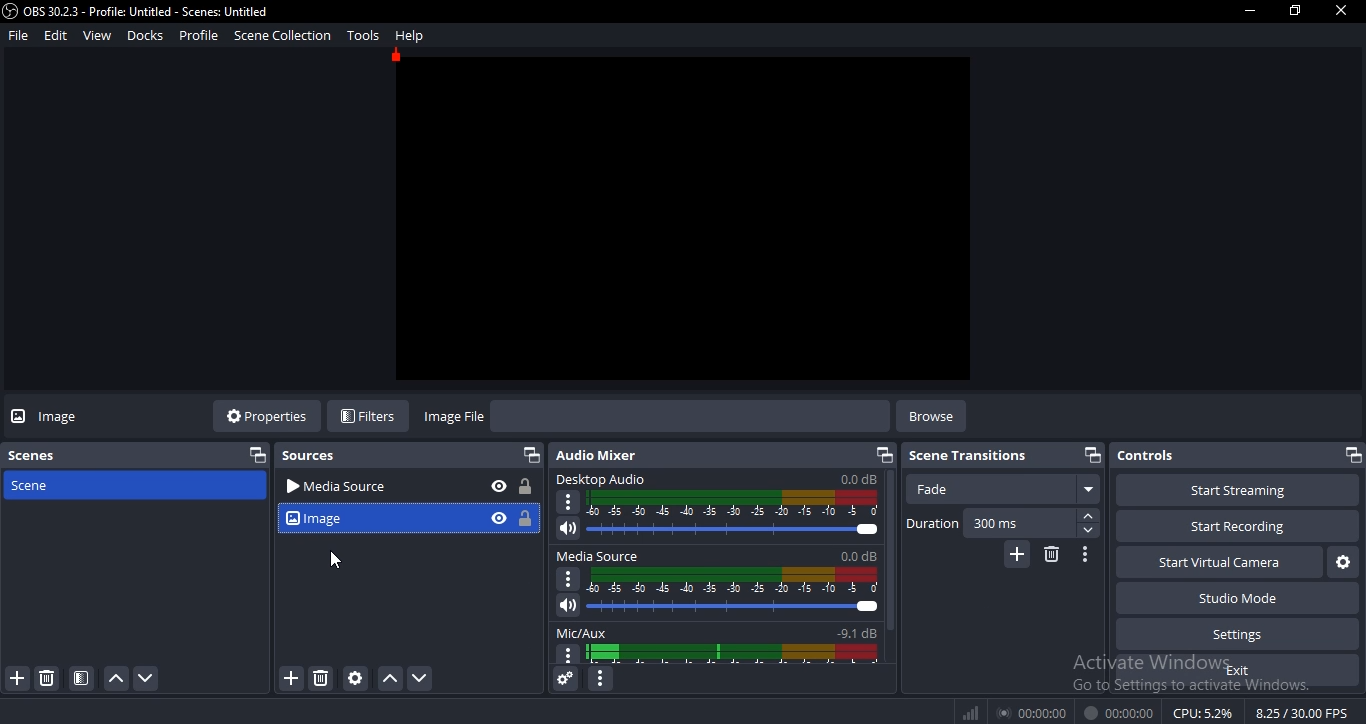 The width and height of the screenshot is (1366, 724). I want to click on close, so click(1342, 12).